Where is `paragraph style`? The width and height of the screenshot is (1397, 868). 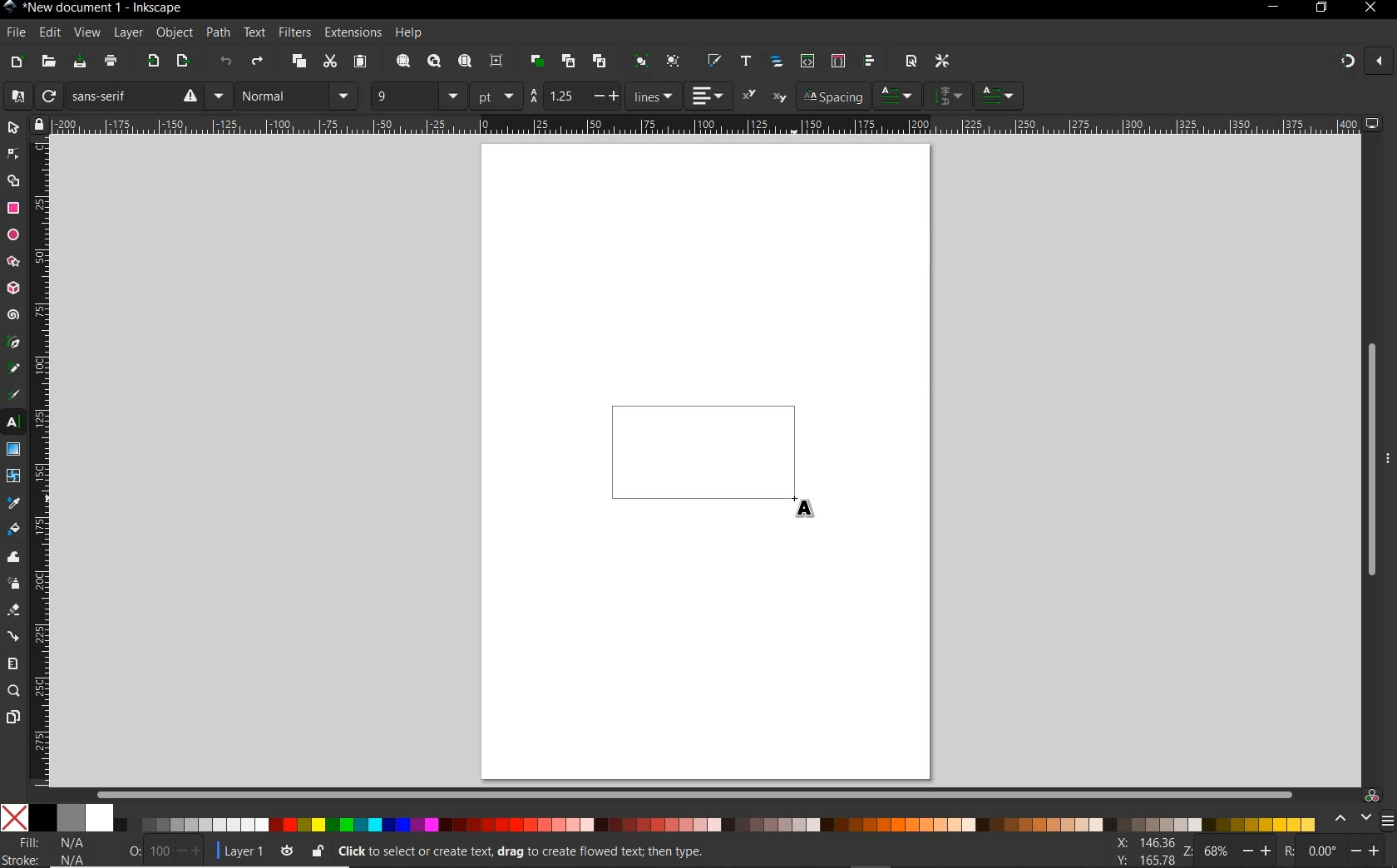
paragraph style is located at coordinates (1000, 96).